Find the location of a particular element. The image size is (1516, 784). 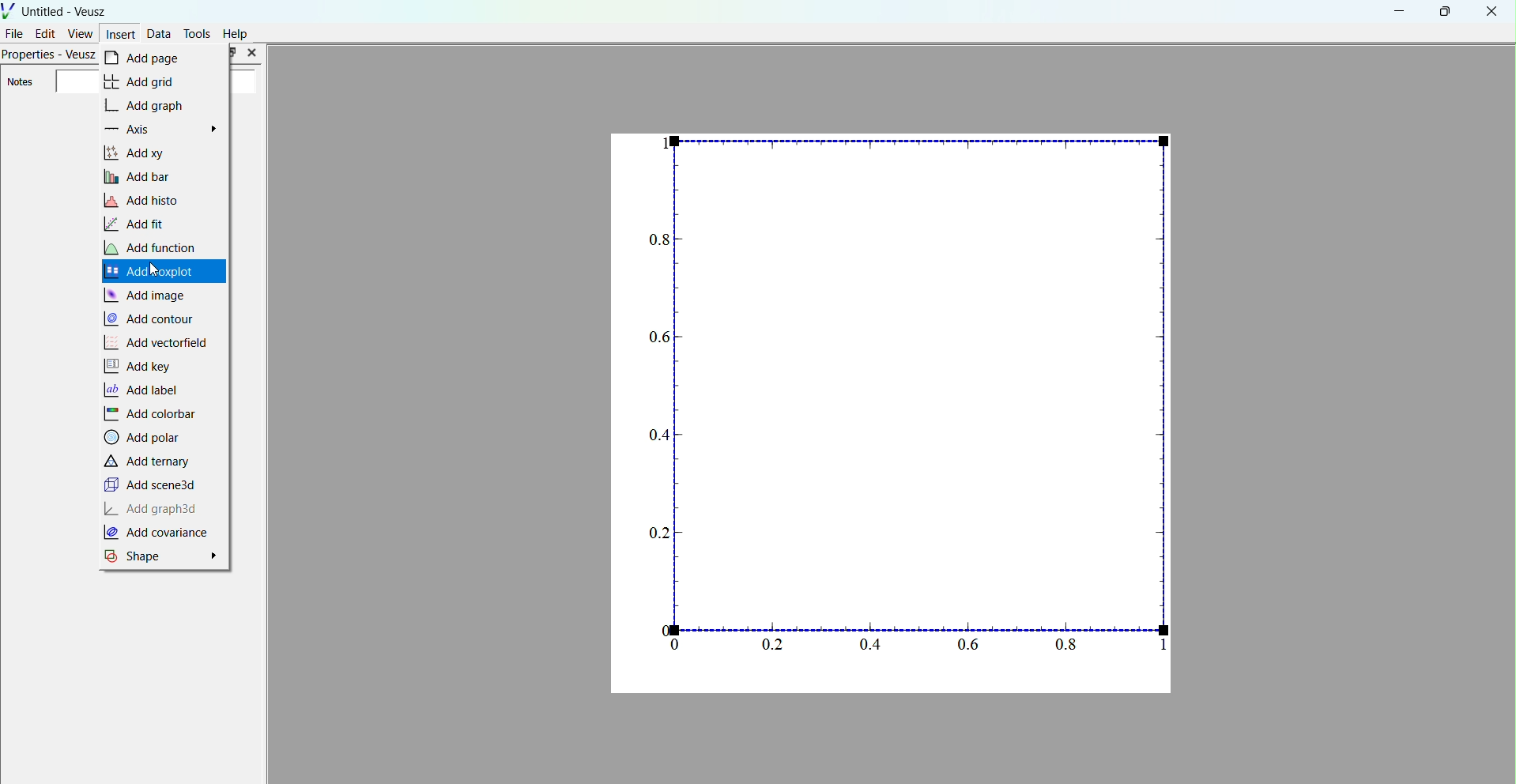

Add vectorfield is located at coordinates (156, 343).